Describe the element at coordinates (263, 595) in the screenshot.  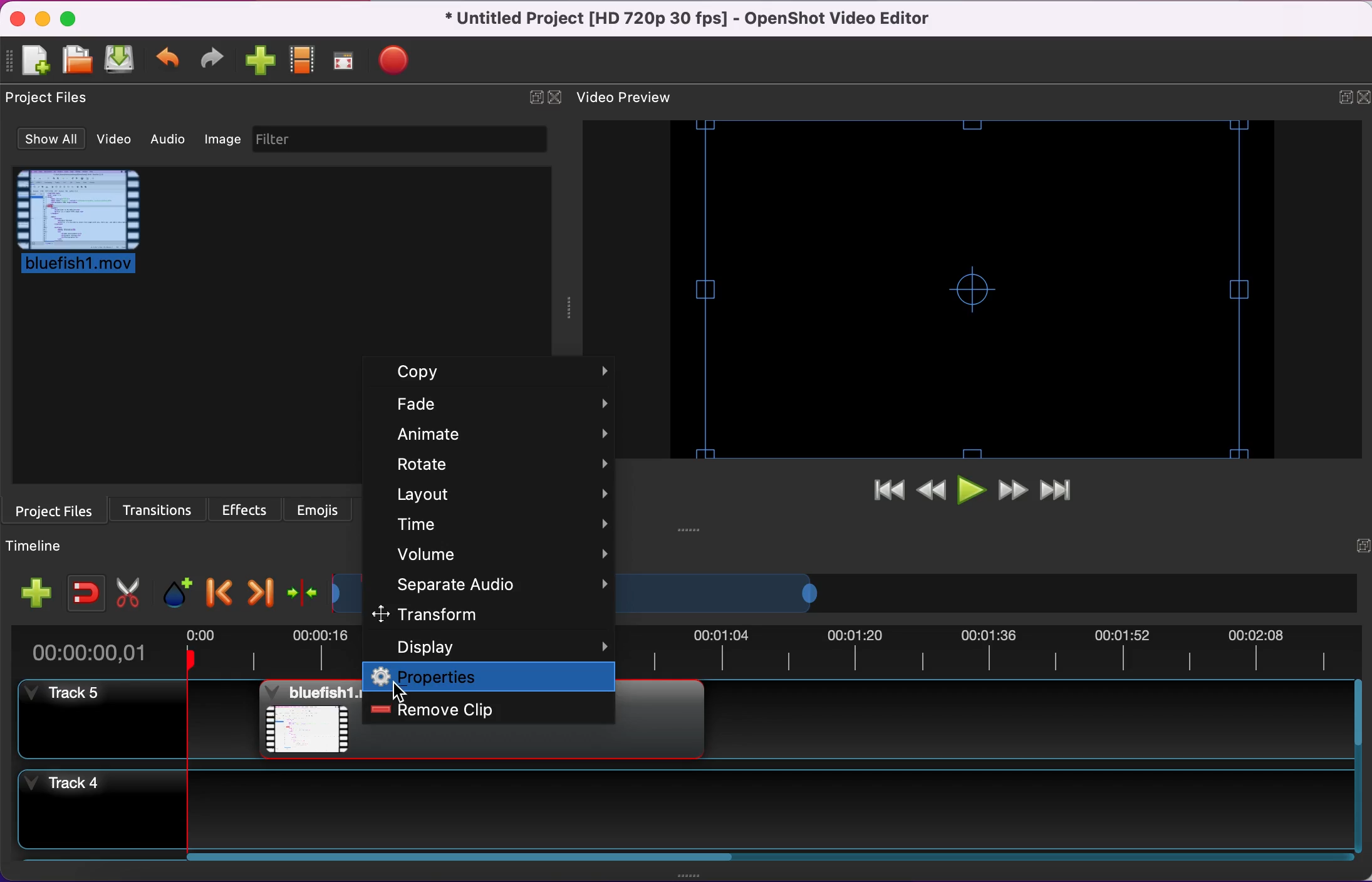
I see `next marker` at that location.